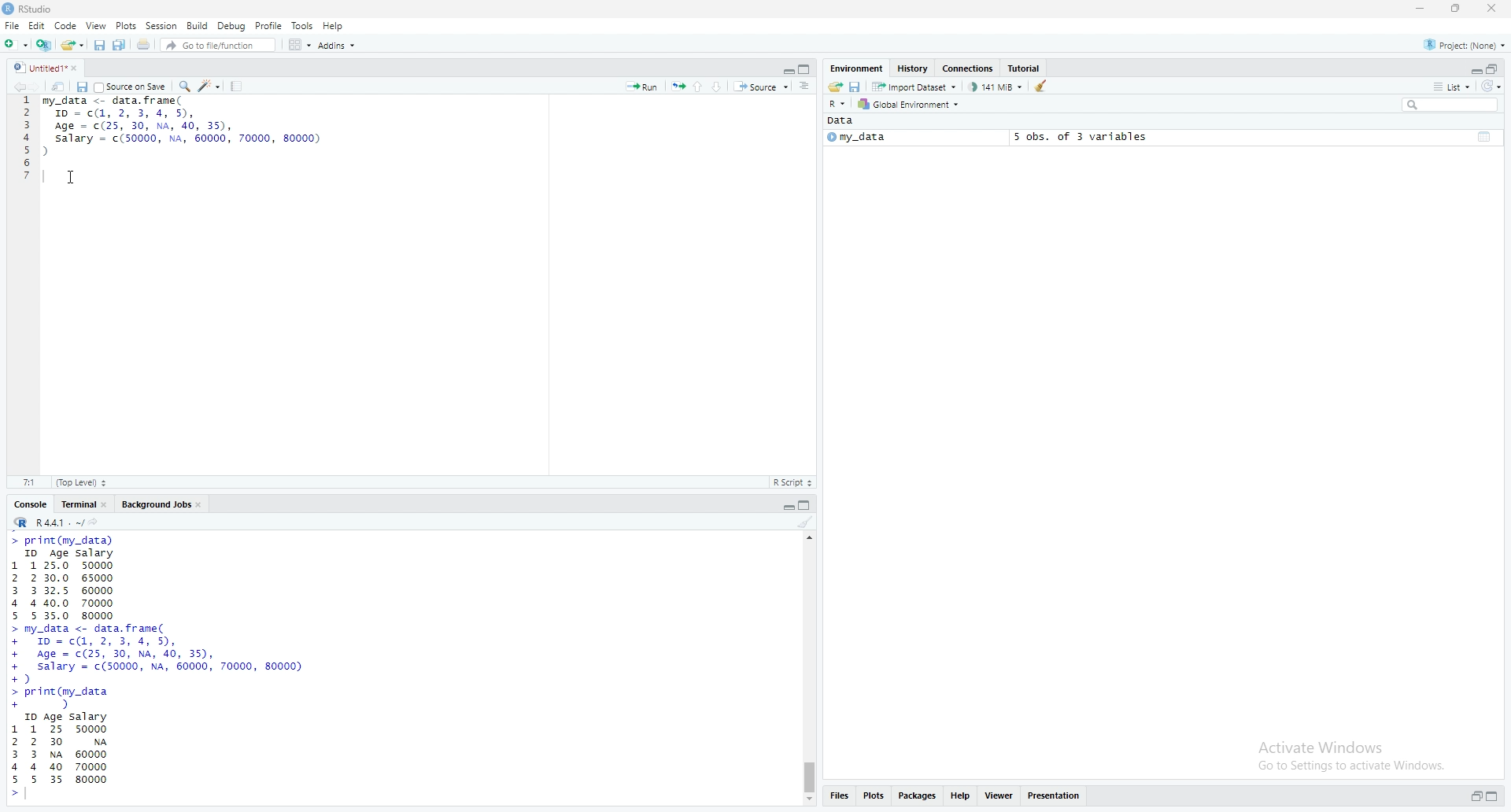 The image size is (1511, 812). What do you see at coordinates (1451, 87) in the screenshot?
I see `list` at bounding box center [1451, 87].